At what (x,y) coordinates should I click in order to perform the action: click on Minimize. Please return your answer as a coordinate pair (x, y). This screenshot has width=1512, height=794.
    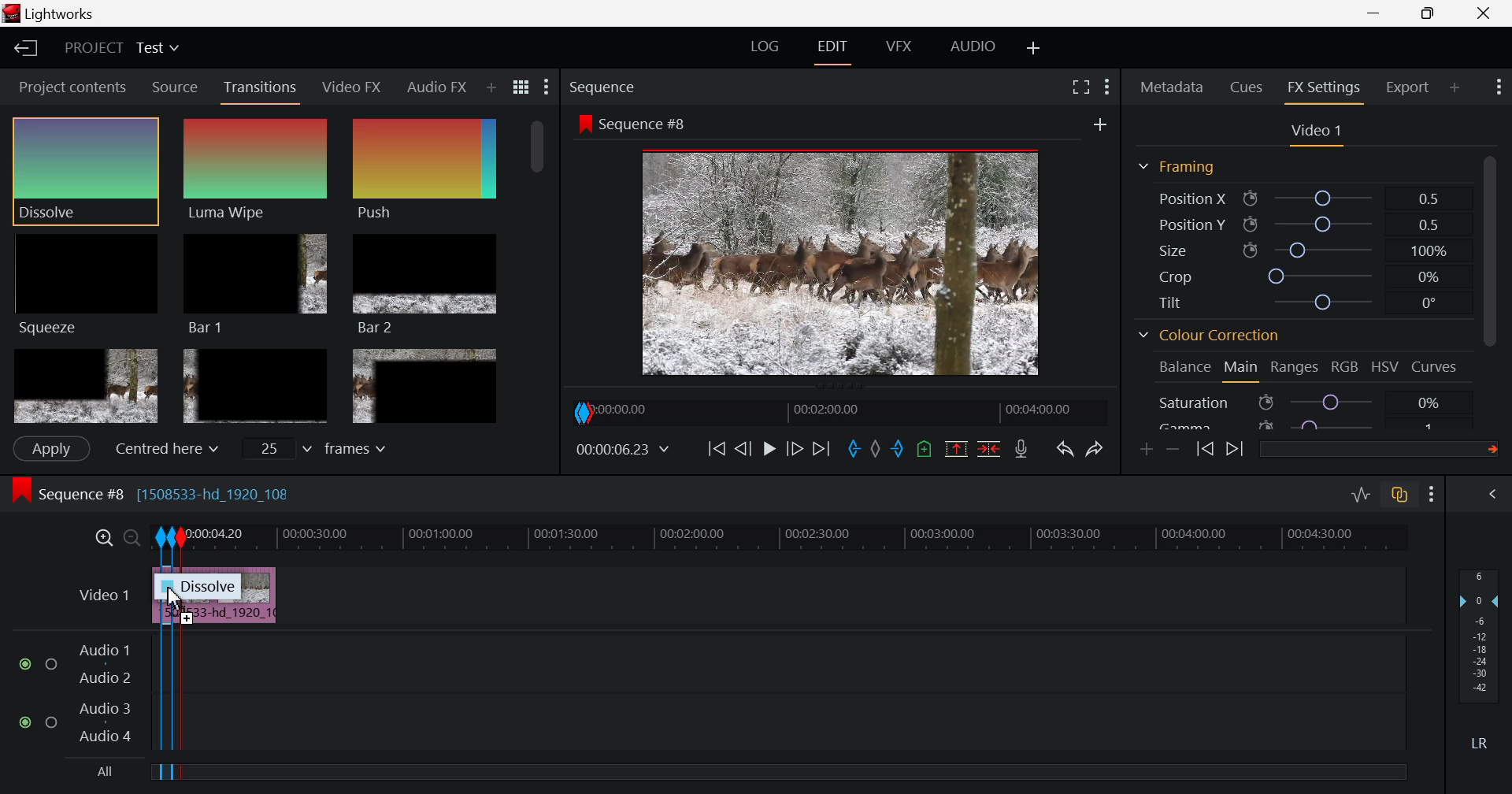
    Looking at the image, I should click on (1435, 13).